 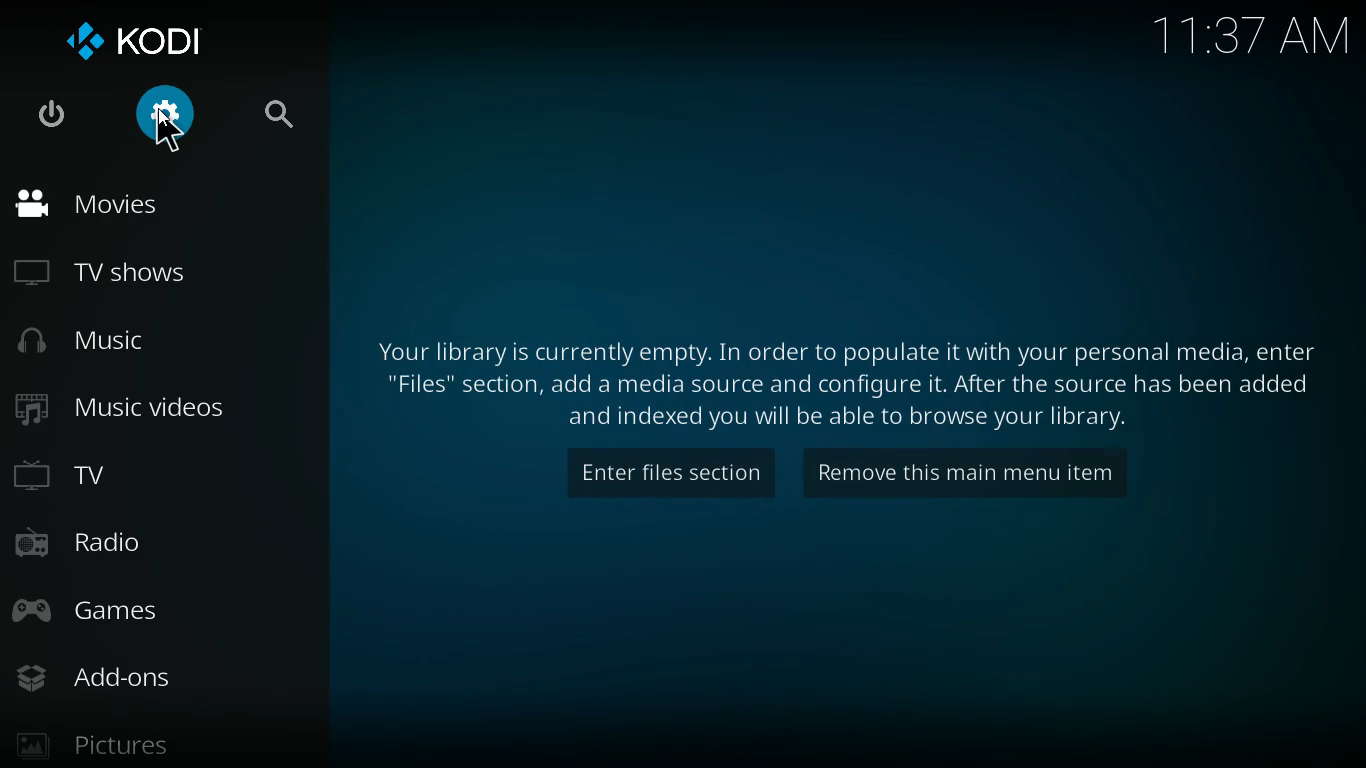 What do you see at coordinates (137, 544) in the screenshot?
I see `radio` at bounding box center [137, 544].